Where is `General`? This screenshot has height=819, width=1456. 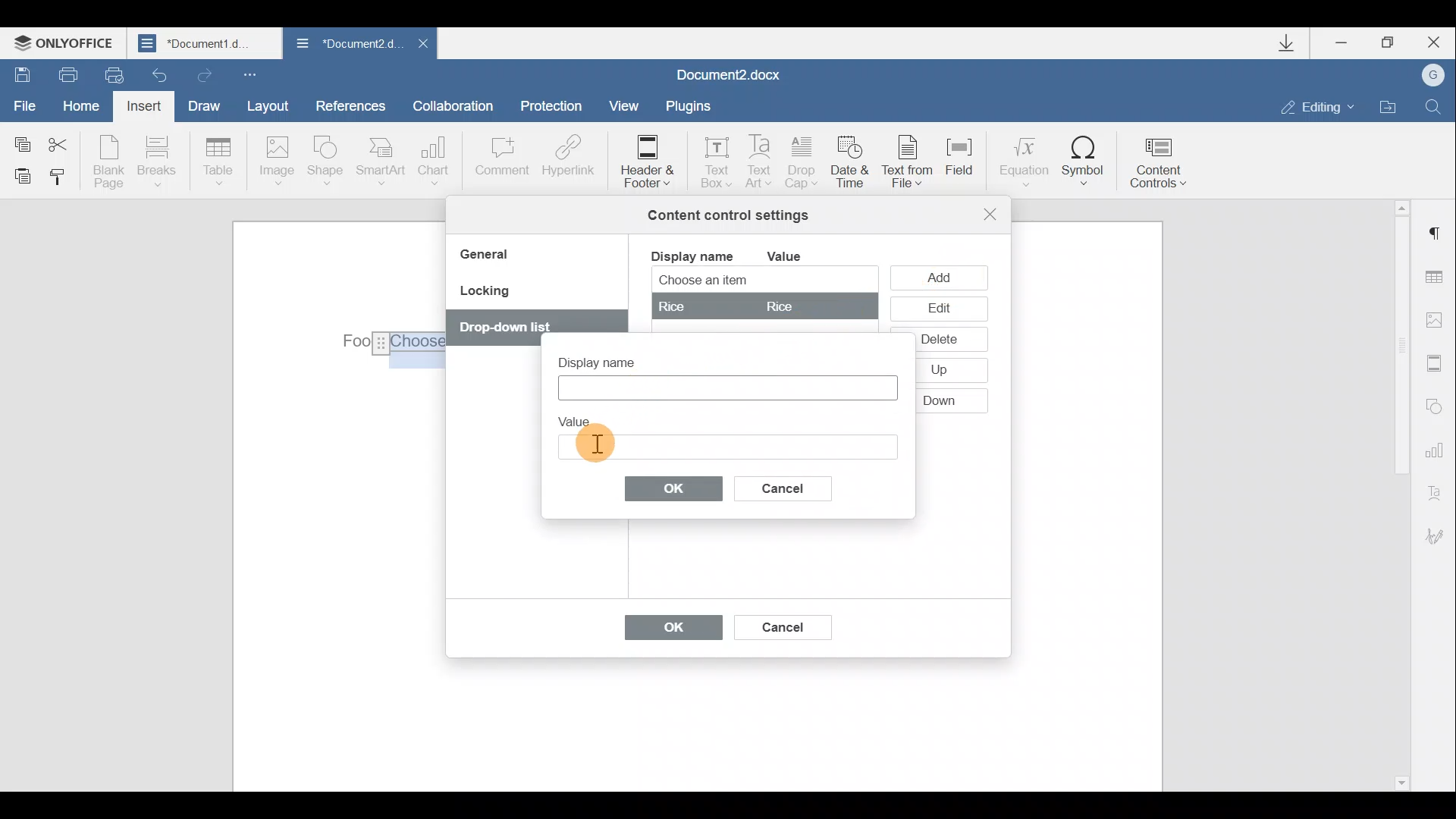 General is located at coordinates (490, 256).